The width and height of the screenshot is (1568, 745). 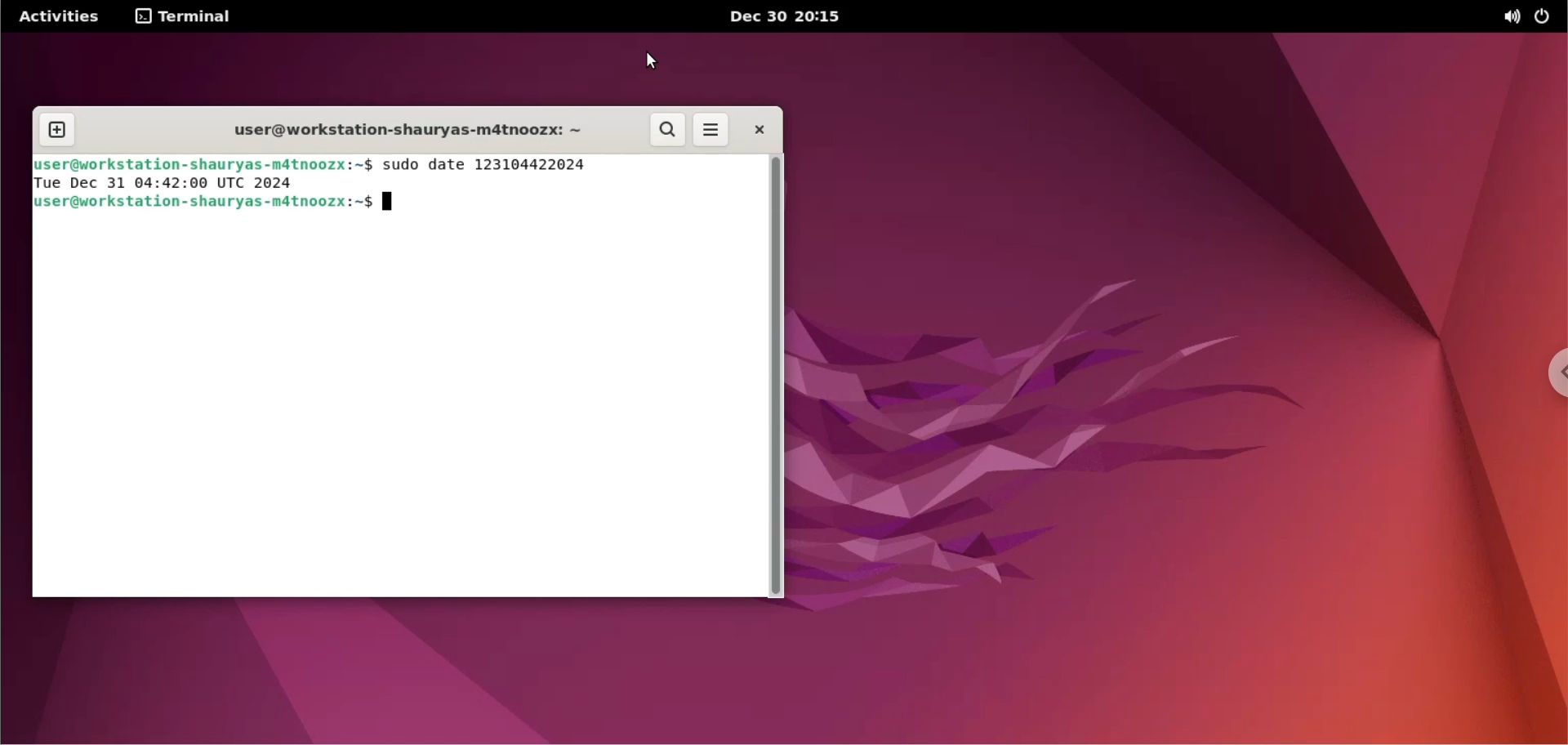 What do you see at coordinates (205, 203) in the screenshot?
I see `Quser@workstation-shau ryas-m4tnoozx:~$ ` at bounding box center [205, 203].